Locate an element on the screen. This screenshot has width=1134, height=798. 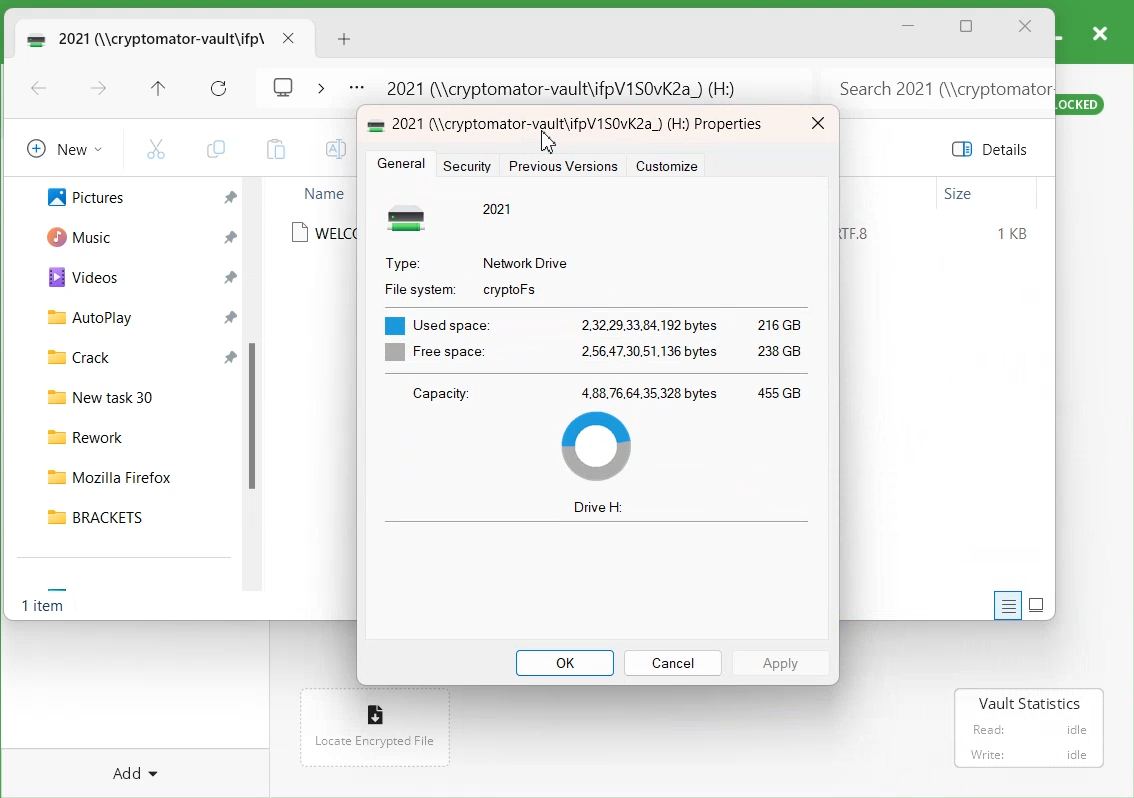
Security is located at coordinates (470, 165).